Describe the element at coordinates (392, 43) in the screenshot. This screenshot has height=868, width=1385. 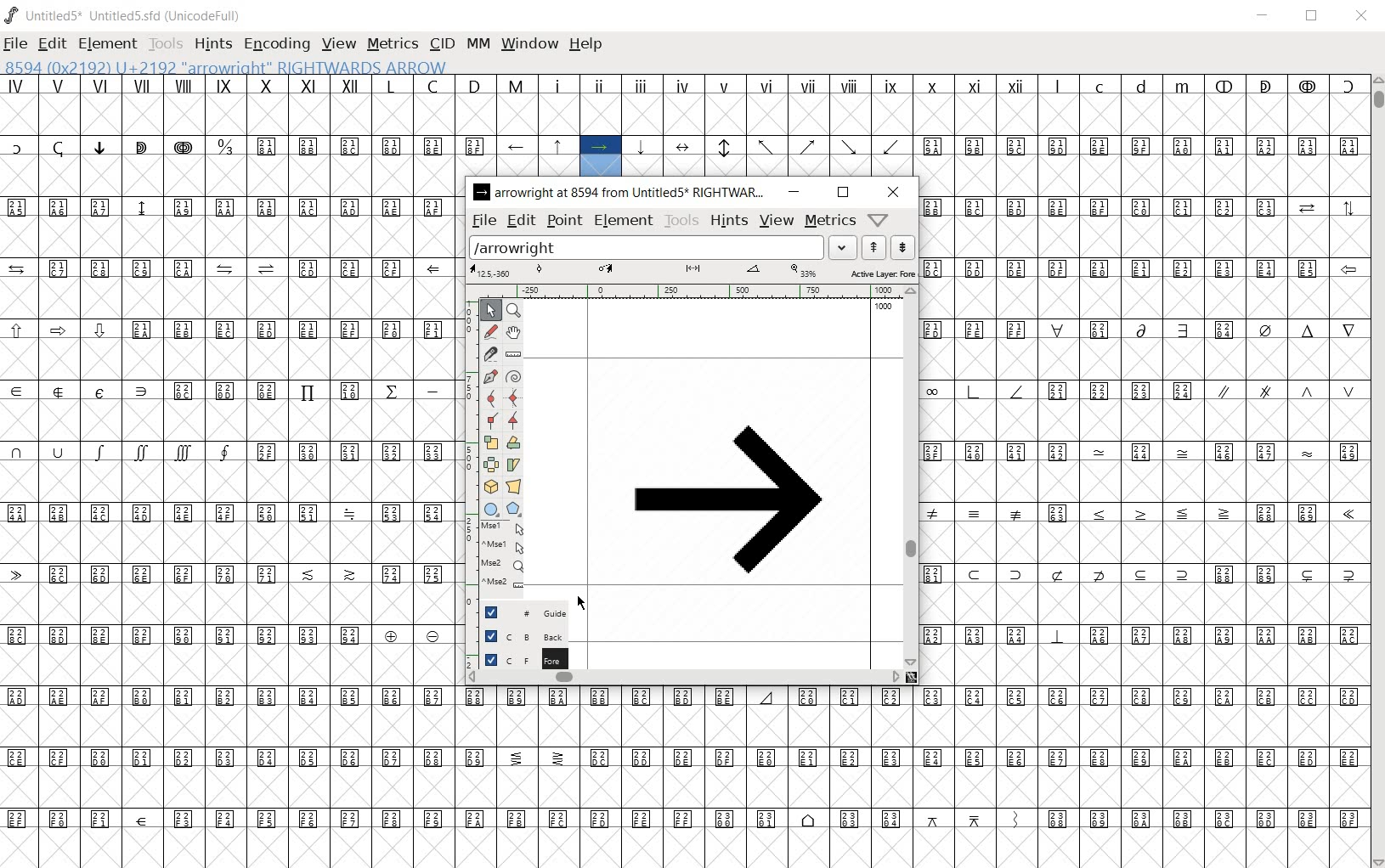
I see `METRICS` at that location.